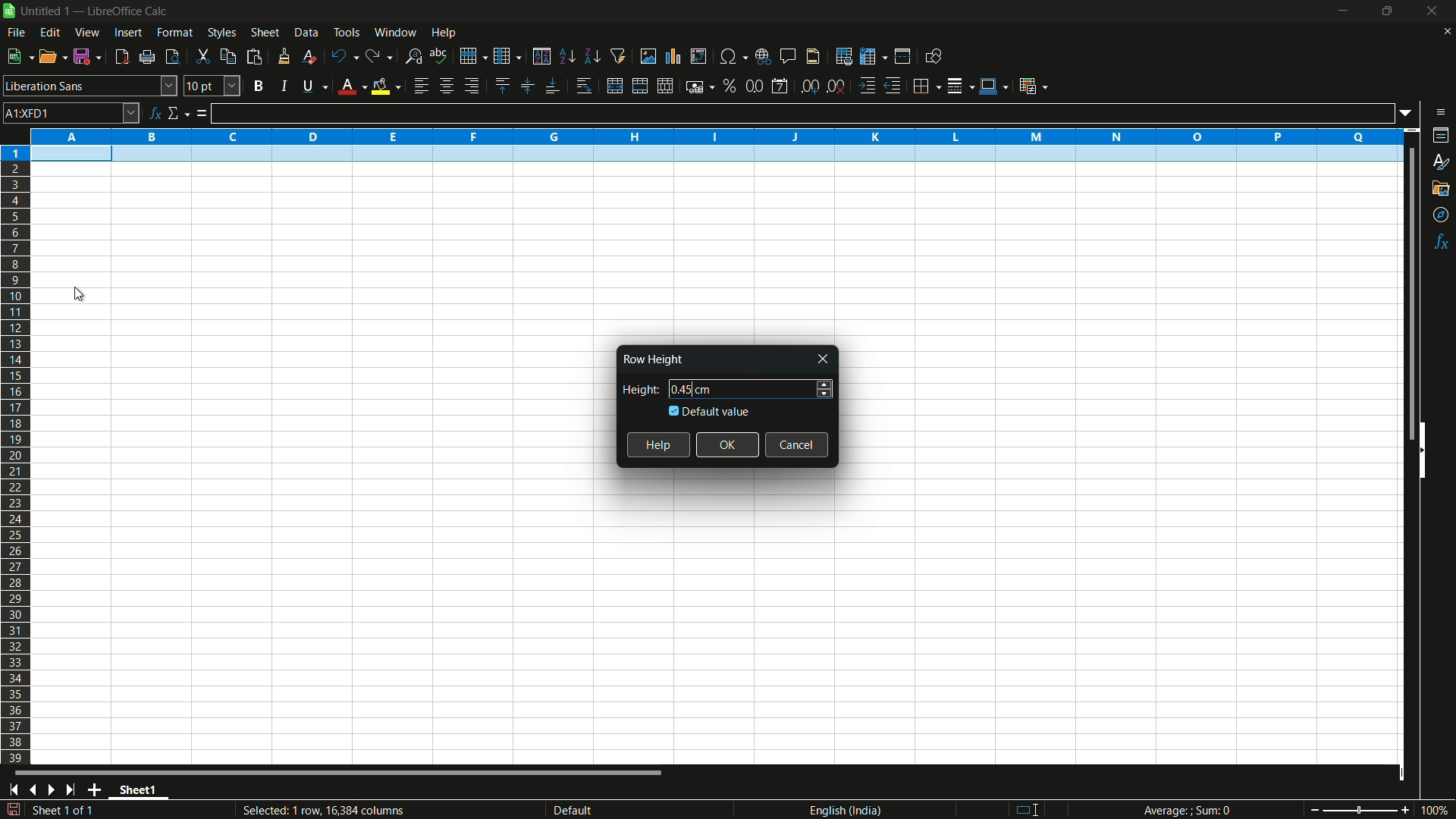 The width and height of the screenshot is (1456, 819). Describe the element at coordinates (1440, 112) in the screenshot. I see `sidebar settings` at that location.